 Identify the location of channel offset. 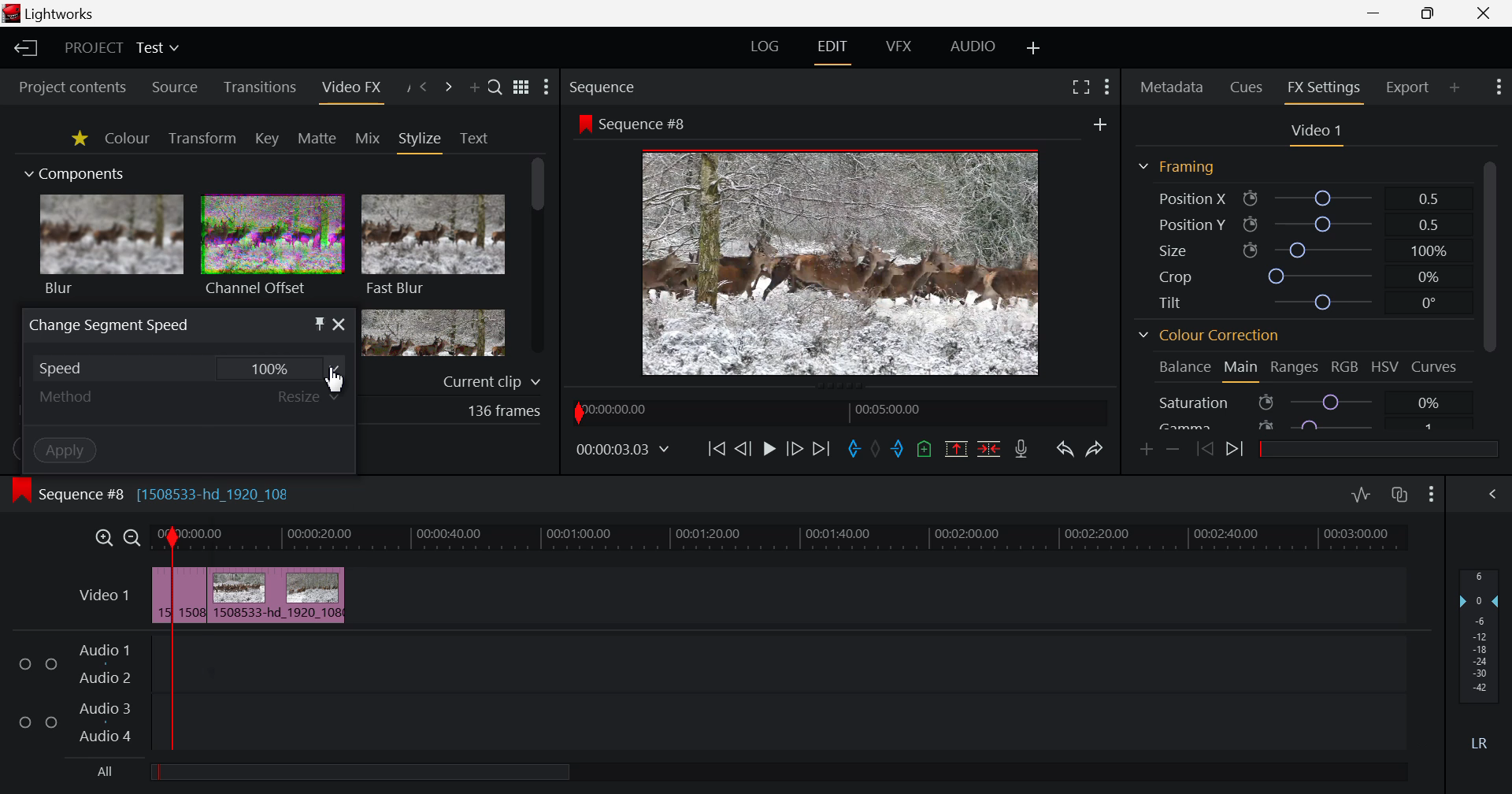
(271, 248).